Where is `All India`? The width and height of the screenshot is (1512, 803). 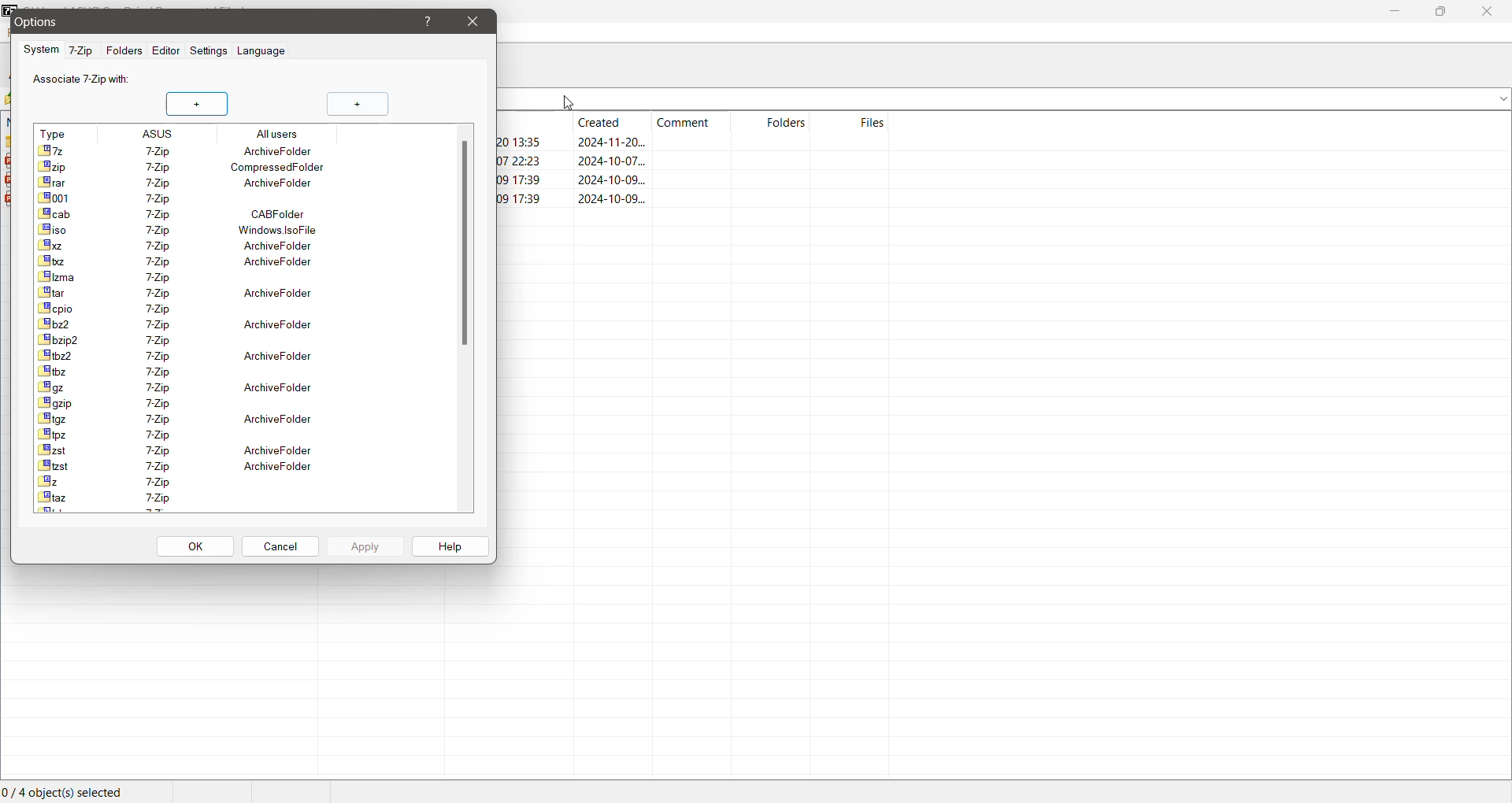 All India is located at coordinates (239, 132).